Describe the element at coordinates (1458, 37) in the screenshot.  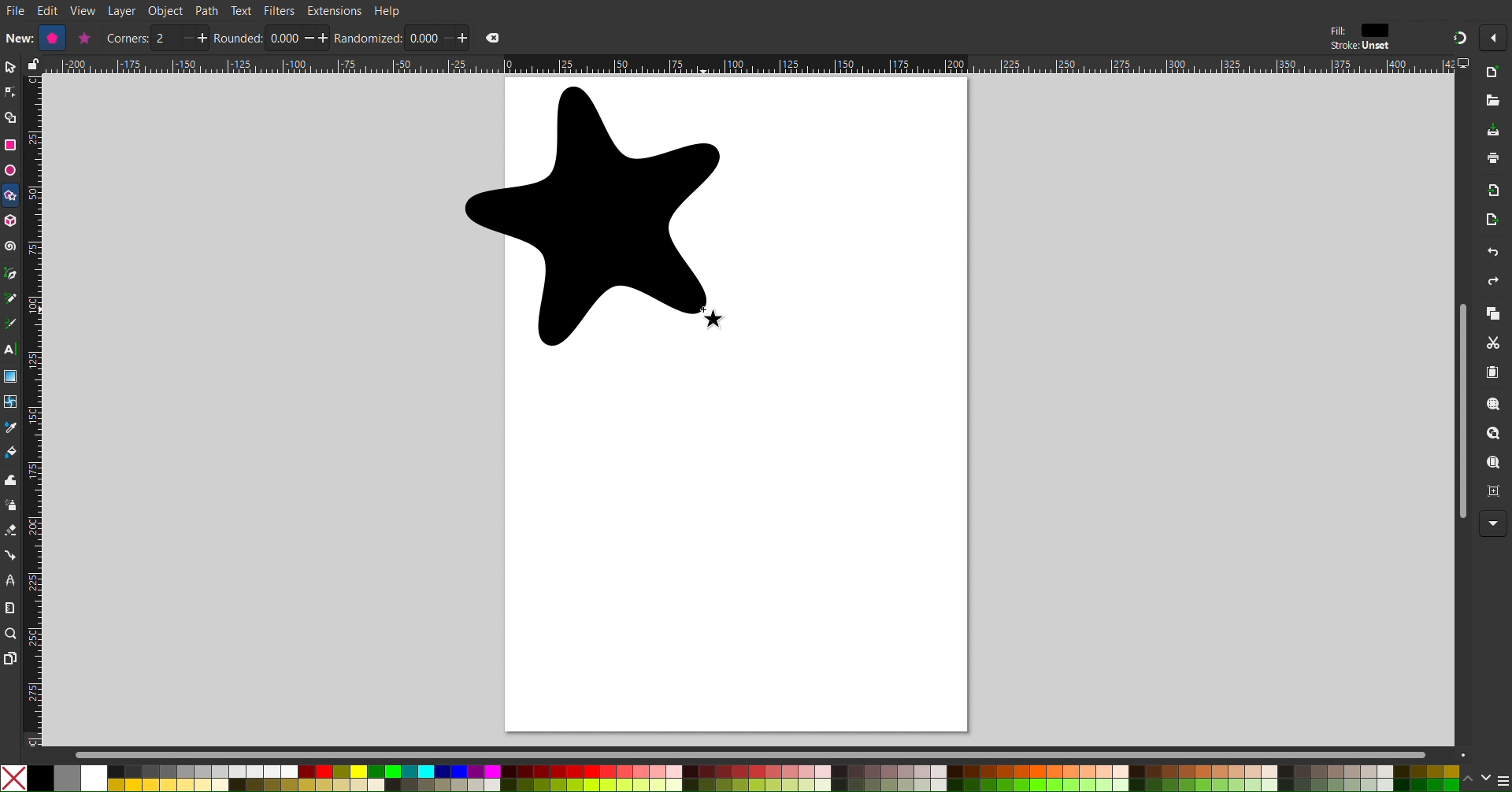
I see `Snapping` at that location.